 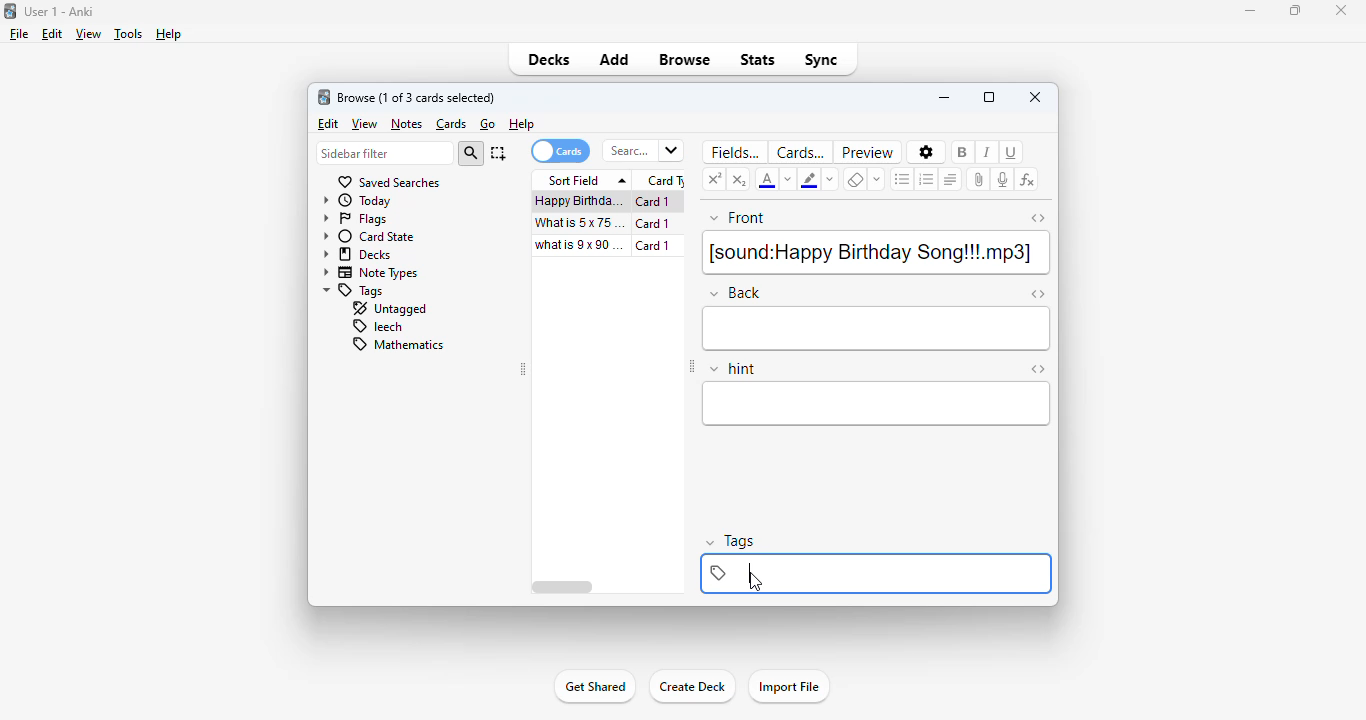 I want to click on search, so click(x=471, y=154).